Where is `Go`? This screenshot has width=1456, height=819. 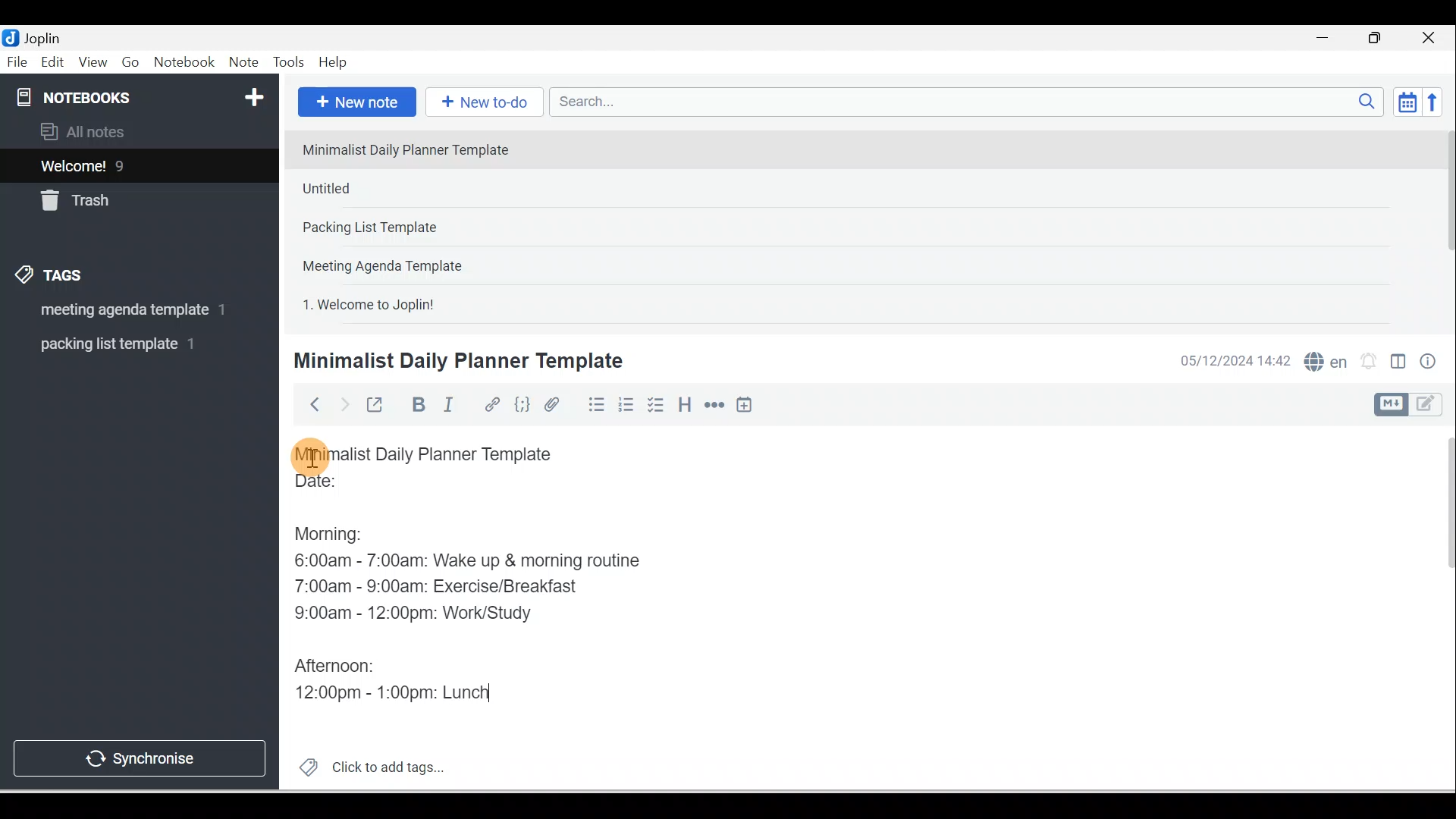
Go is located at coordinates (133, 63).